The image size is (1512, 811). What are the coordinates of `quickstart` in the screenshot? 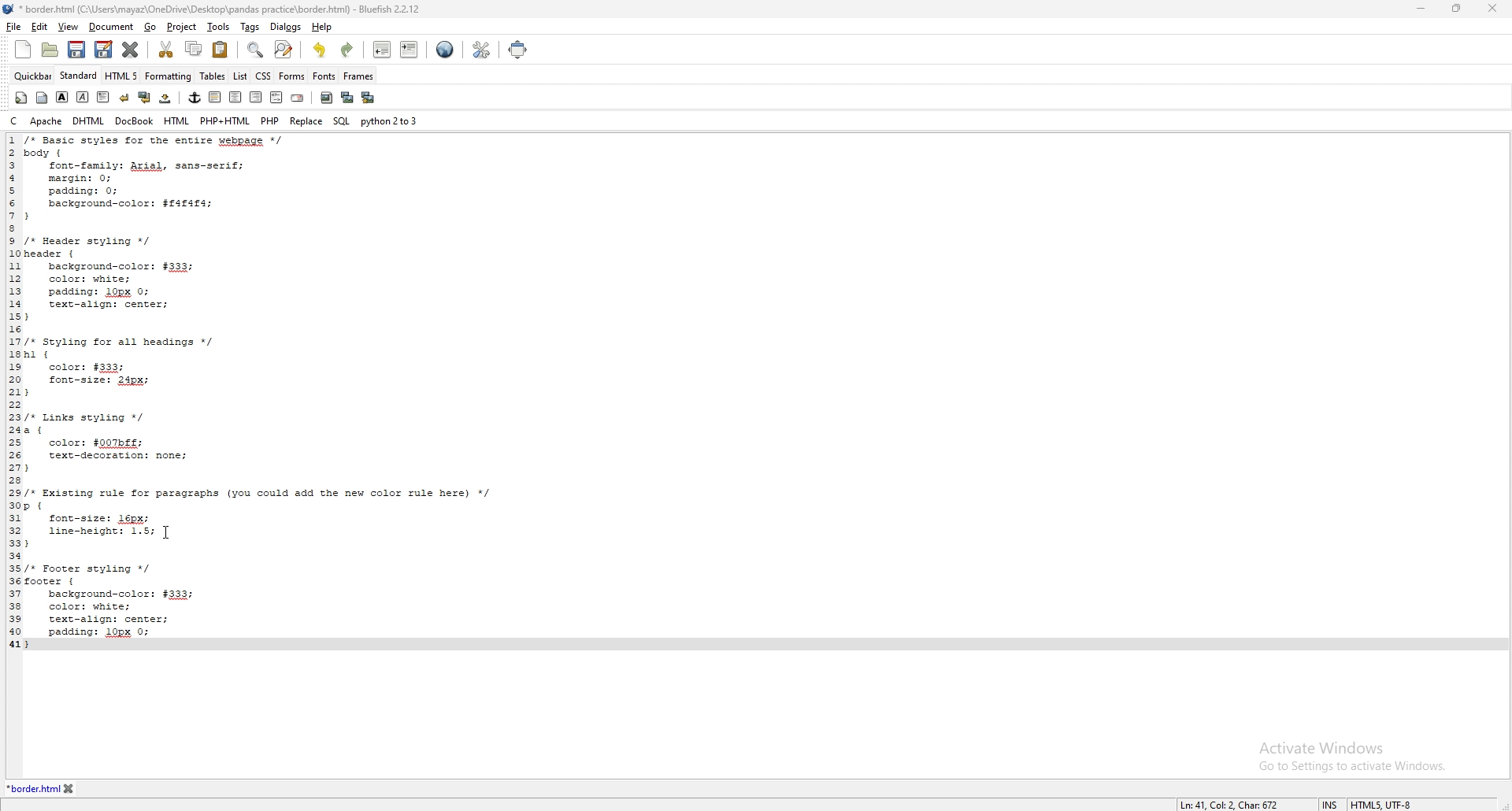 It's located at (22, 98).